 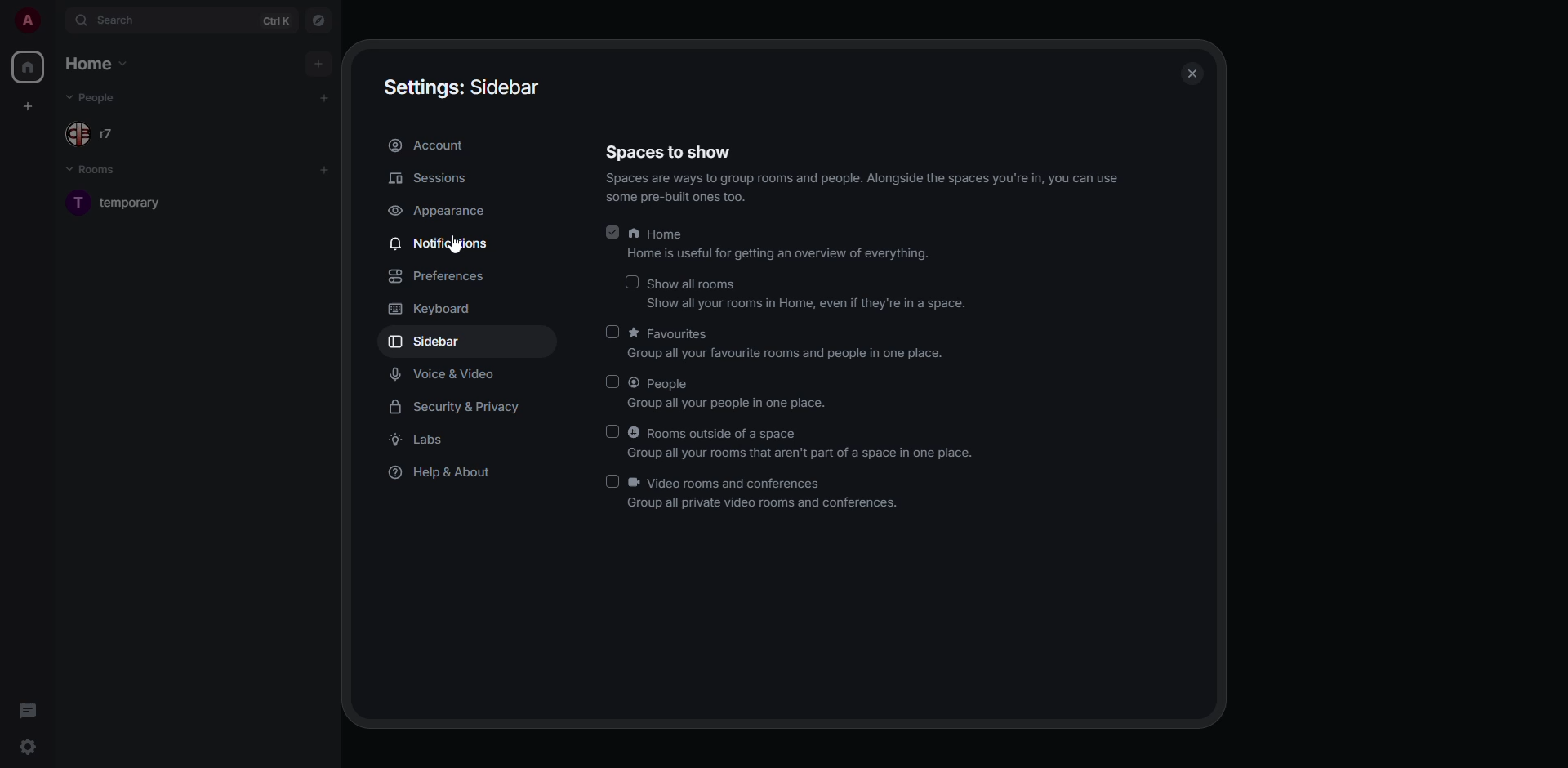 I want to click on home, so click(x=96, y=63).